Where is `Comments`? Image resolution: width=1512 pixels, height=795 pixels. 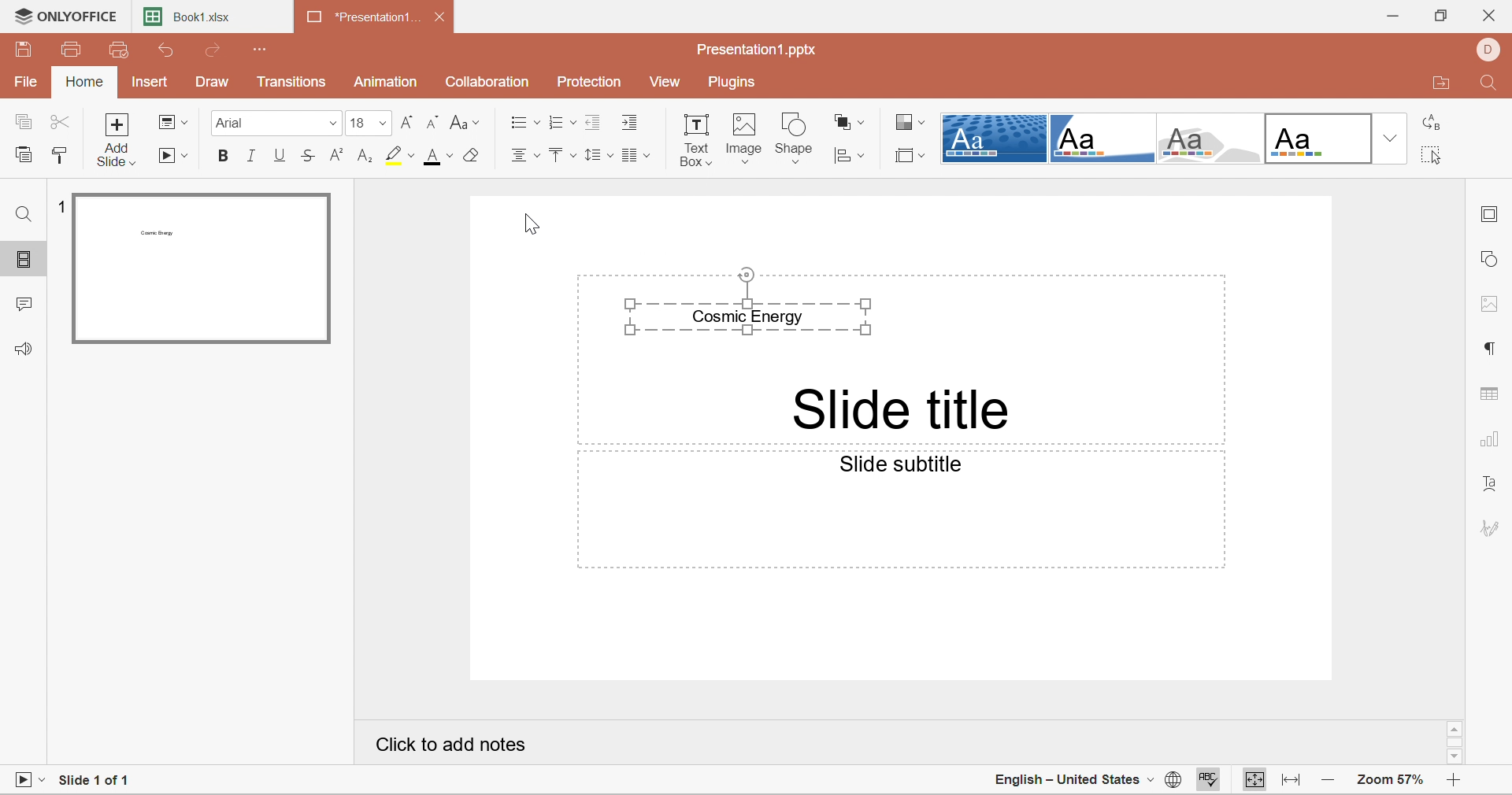 Comments is located at coordinates (23, 307).